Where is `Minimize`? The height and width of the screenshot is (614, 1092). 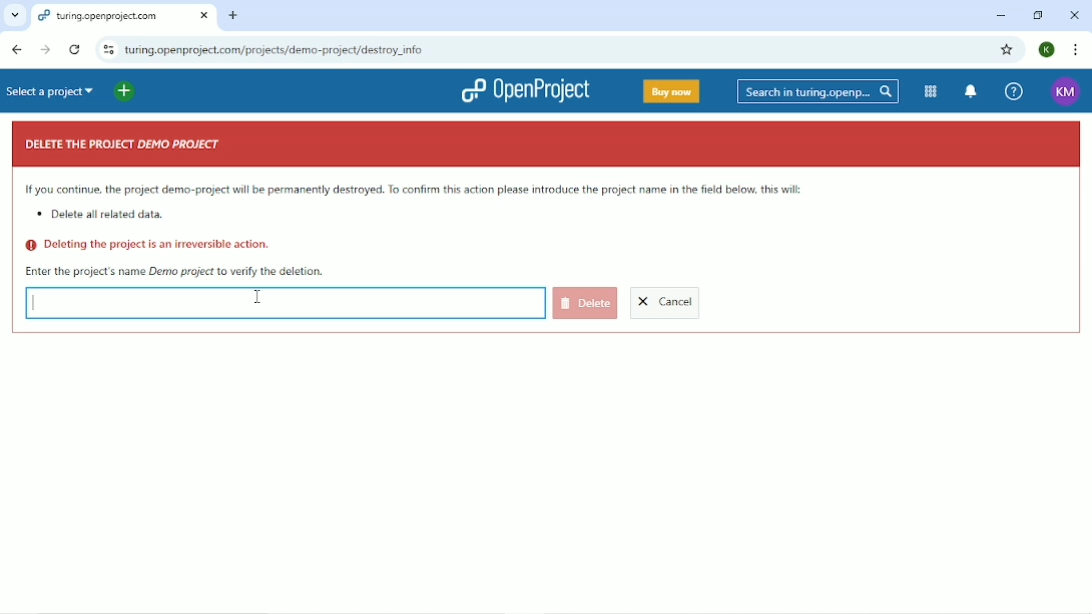
Minimize is located at coordinates (998, 17).